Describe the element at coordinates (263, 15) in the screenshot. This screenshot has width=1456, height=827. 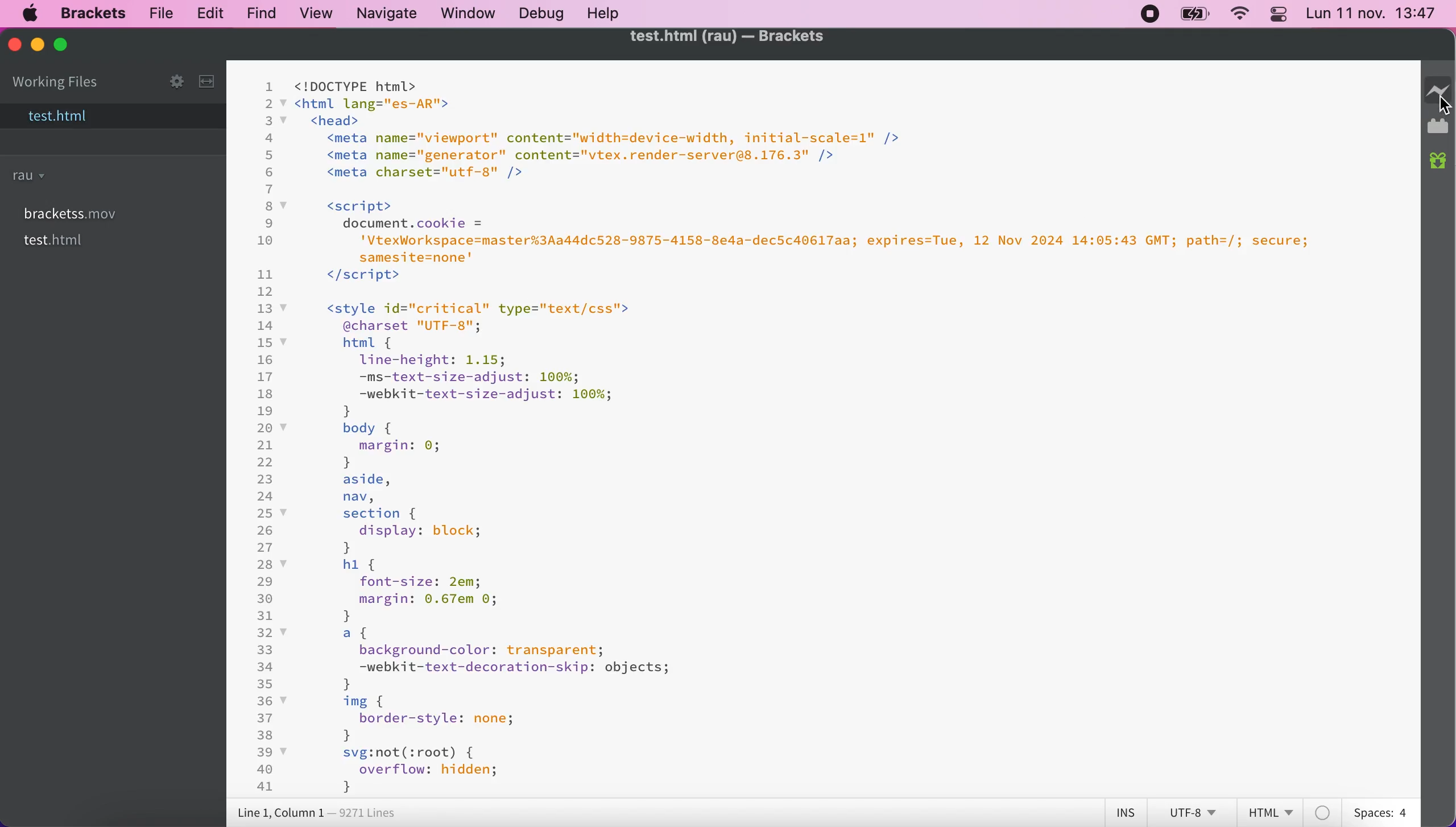
I see `find` at that location.